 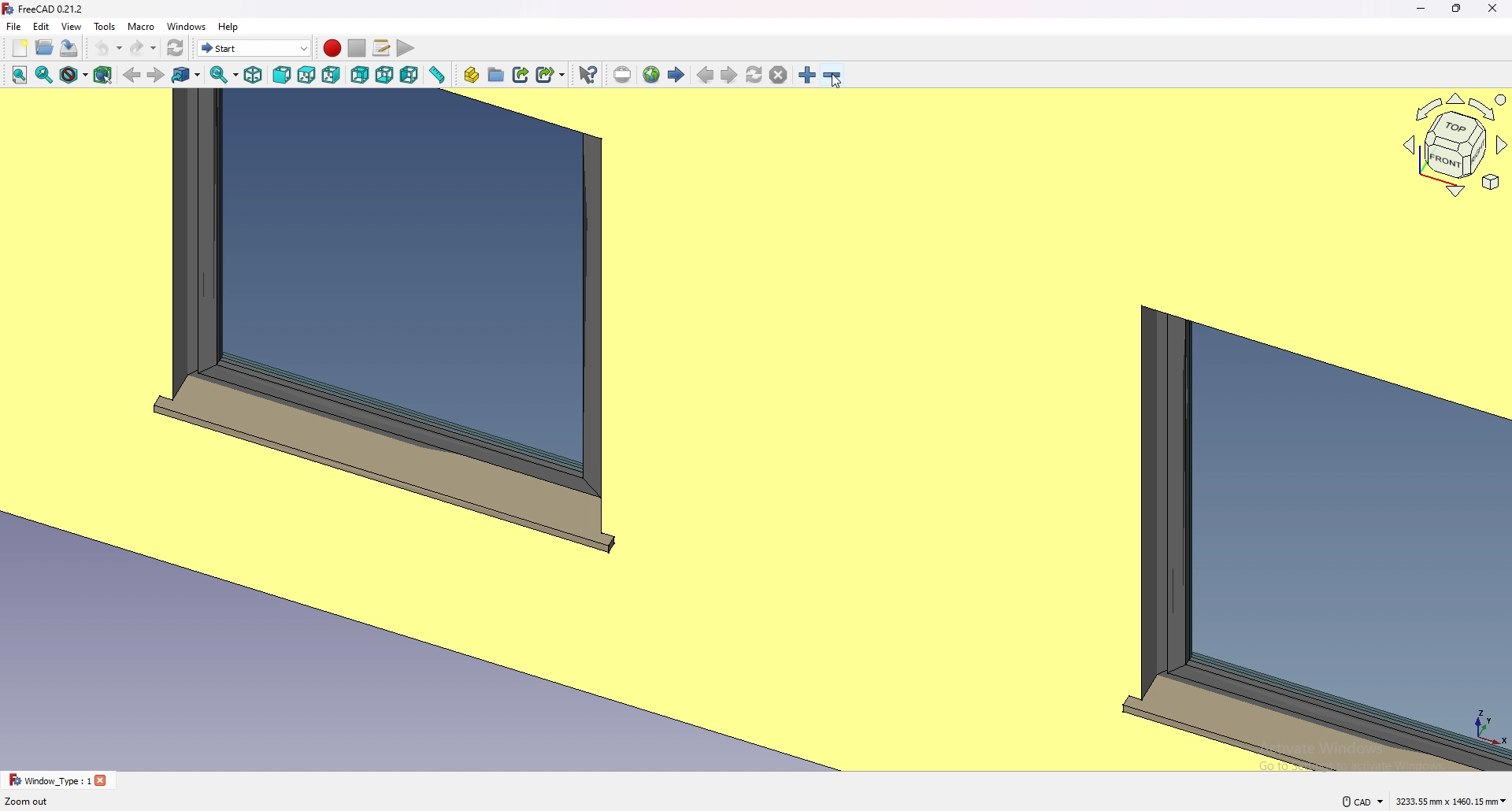 What do you see at coordinates (74, 75) in the screenshot?
I see `draw style` at bounding box center [74, 75].